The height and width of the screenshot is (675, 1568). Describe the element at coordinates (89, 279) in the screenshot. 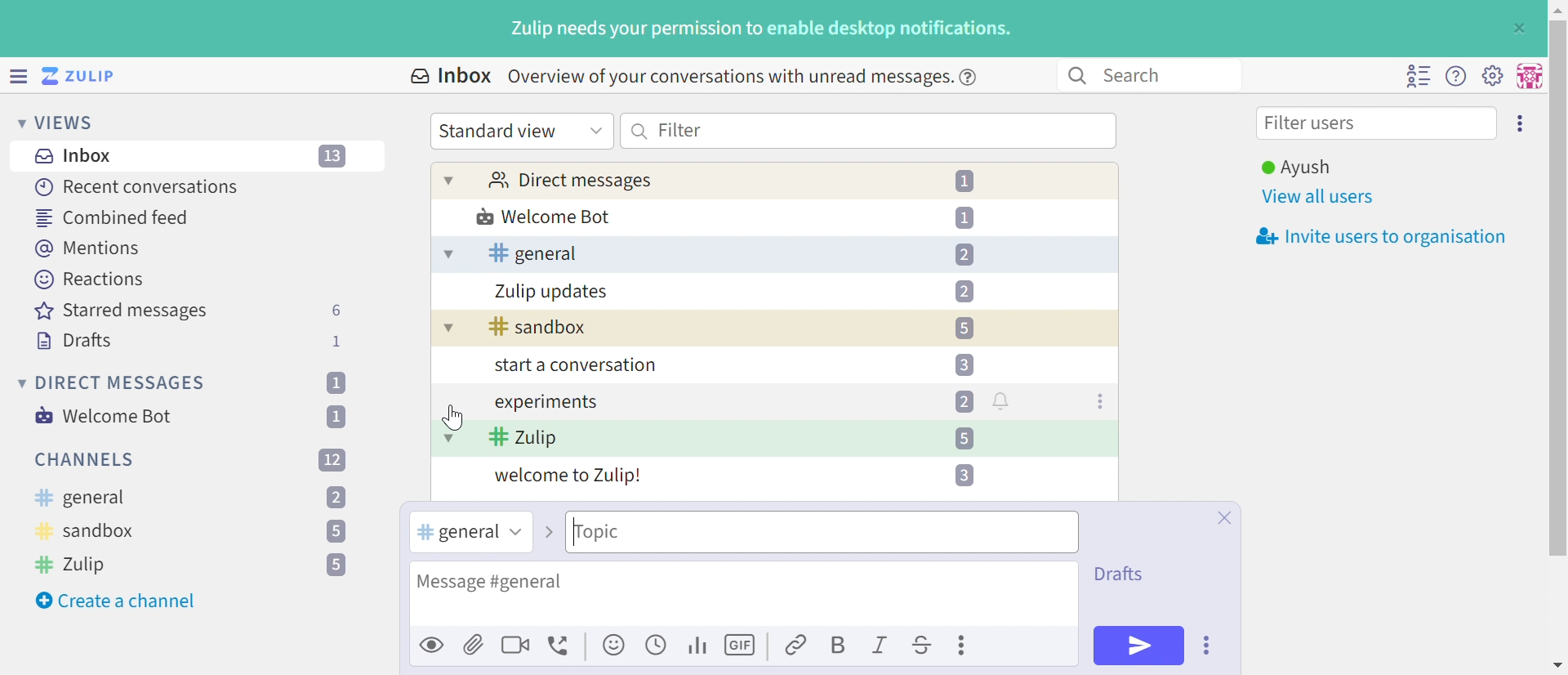

I see `Reactions` at that location.